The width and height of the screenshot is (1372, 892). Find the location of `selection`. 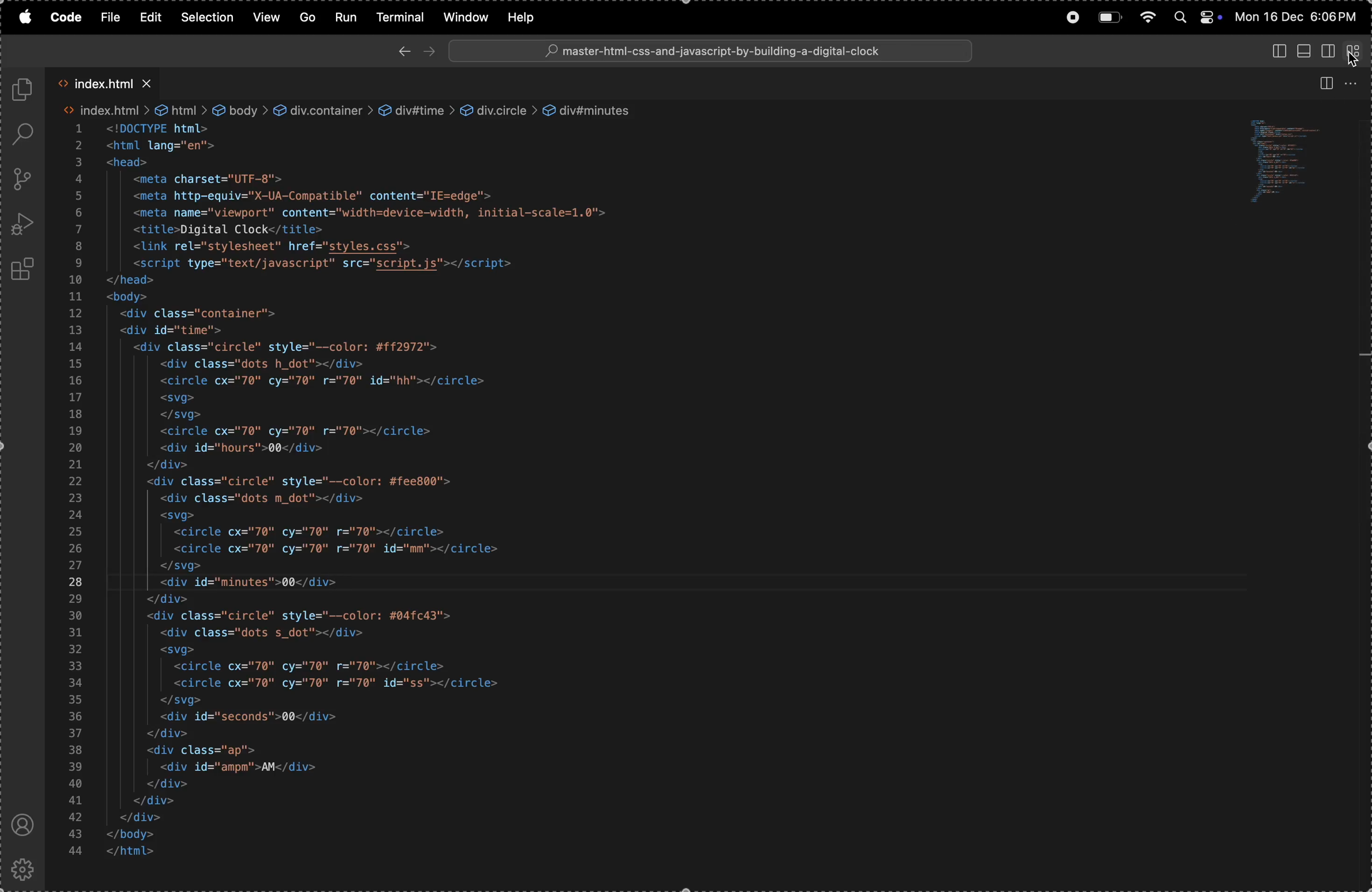

selection is located at coordinates (206, 17).